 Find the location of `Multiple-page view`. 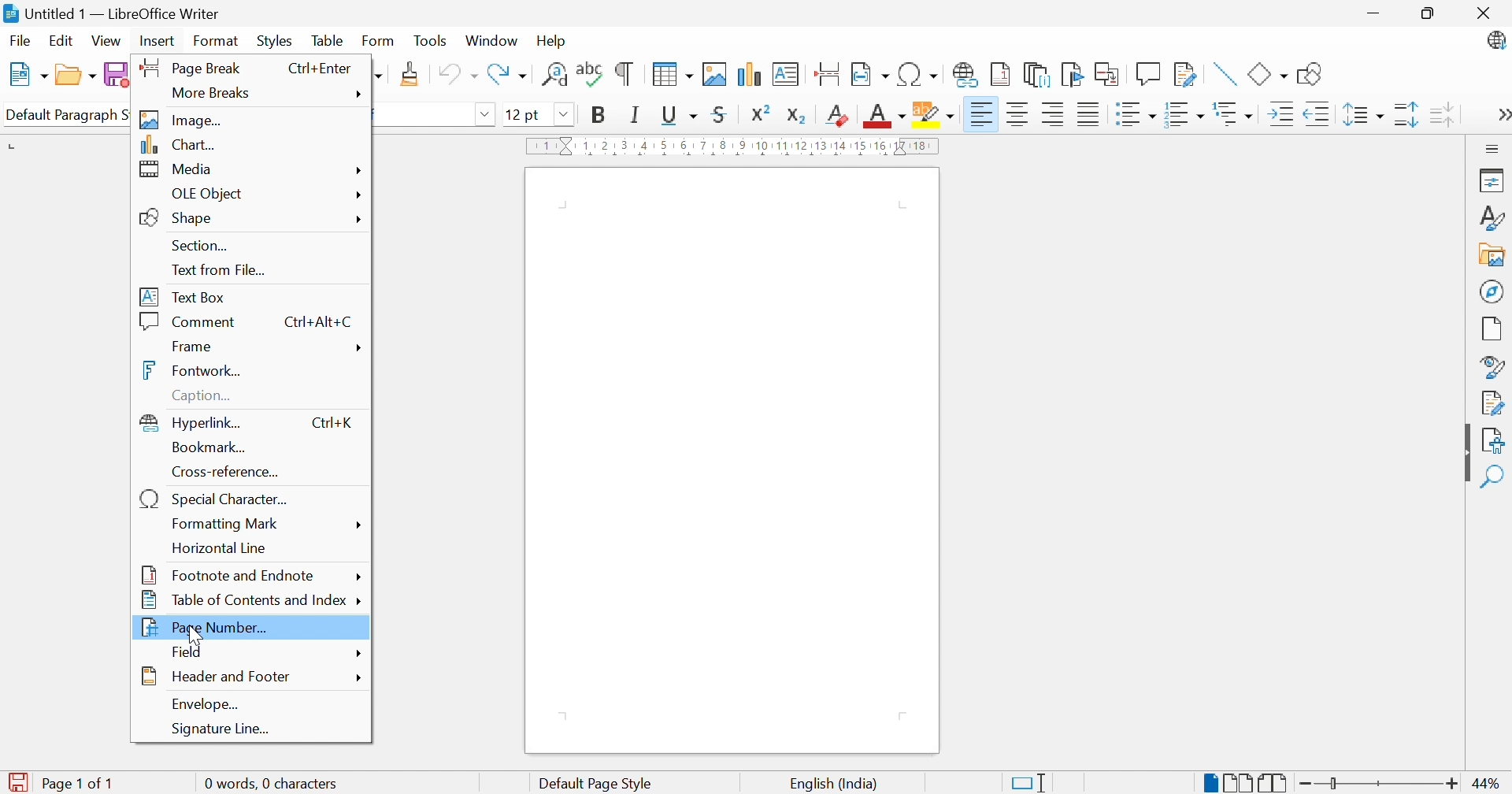

Multiple-page view is located at coordinates (1242, 784).